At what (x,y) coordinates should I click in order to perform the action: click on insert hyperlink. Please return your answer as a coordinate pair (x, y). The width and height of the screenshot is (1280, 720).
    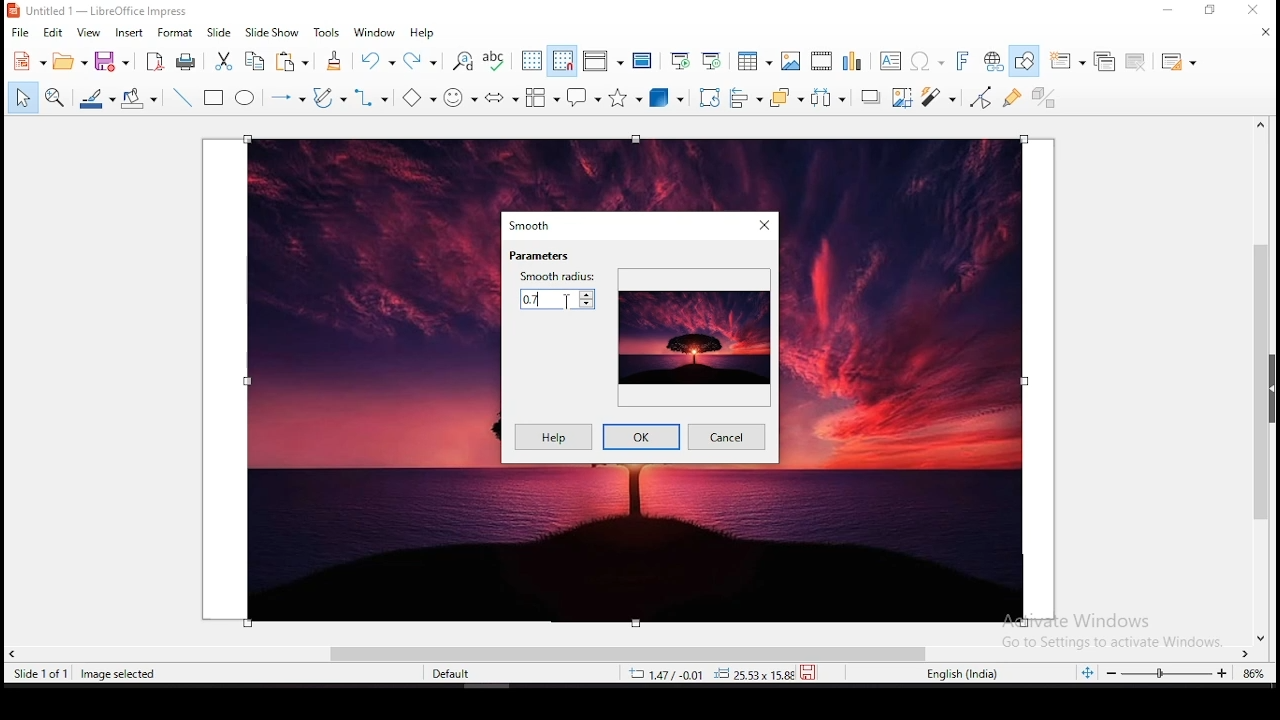
    Looking at the image, I should click on (996, 61).